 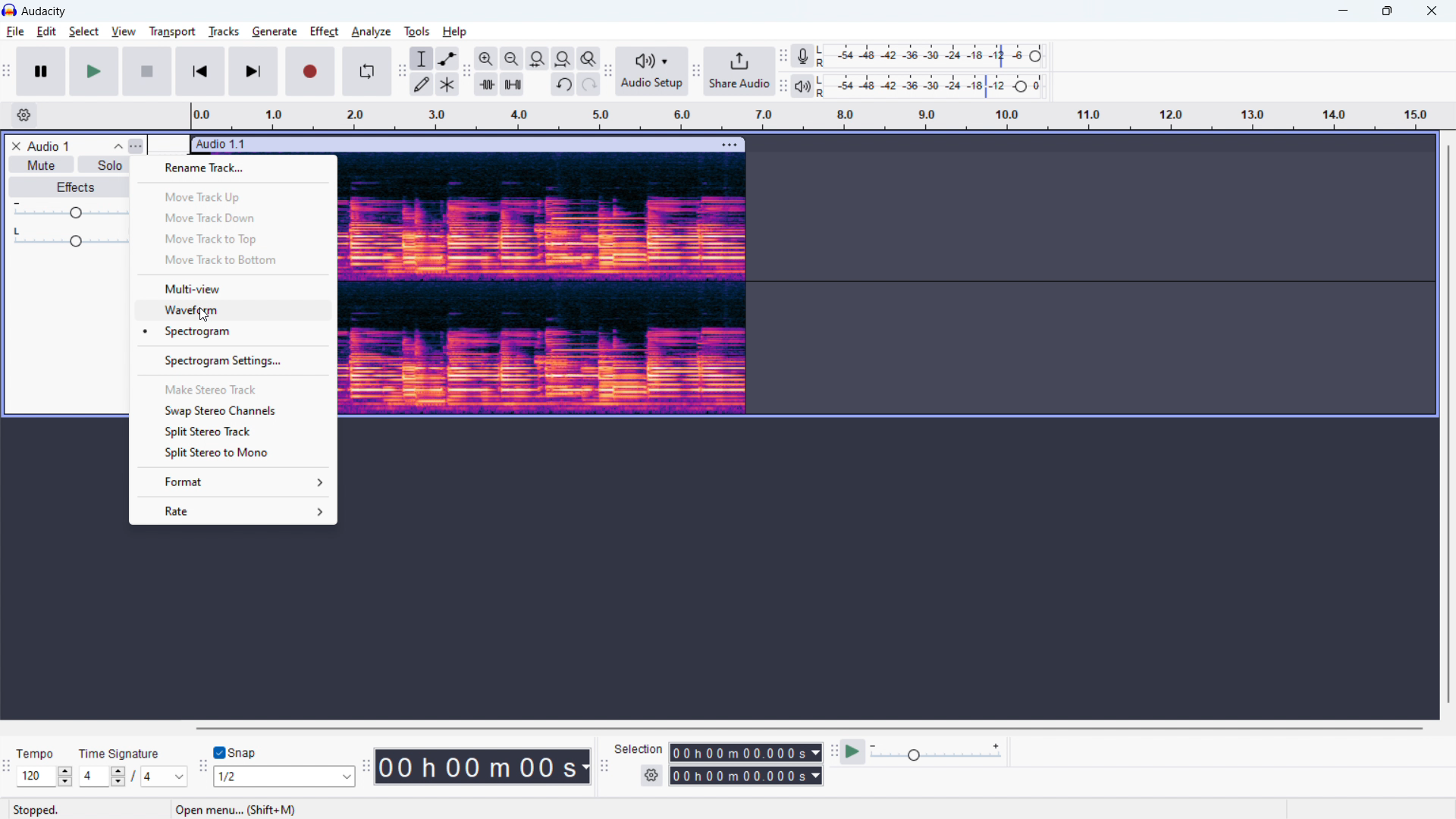 I want to click on zoom out, so click(x=511, y=58).